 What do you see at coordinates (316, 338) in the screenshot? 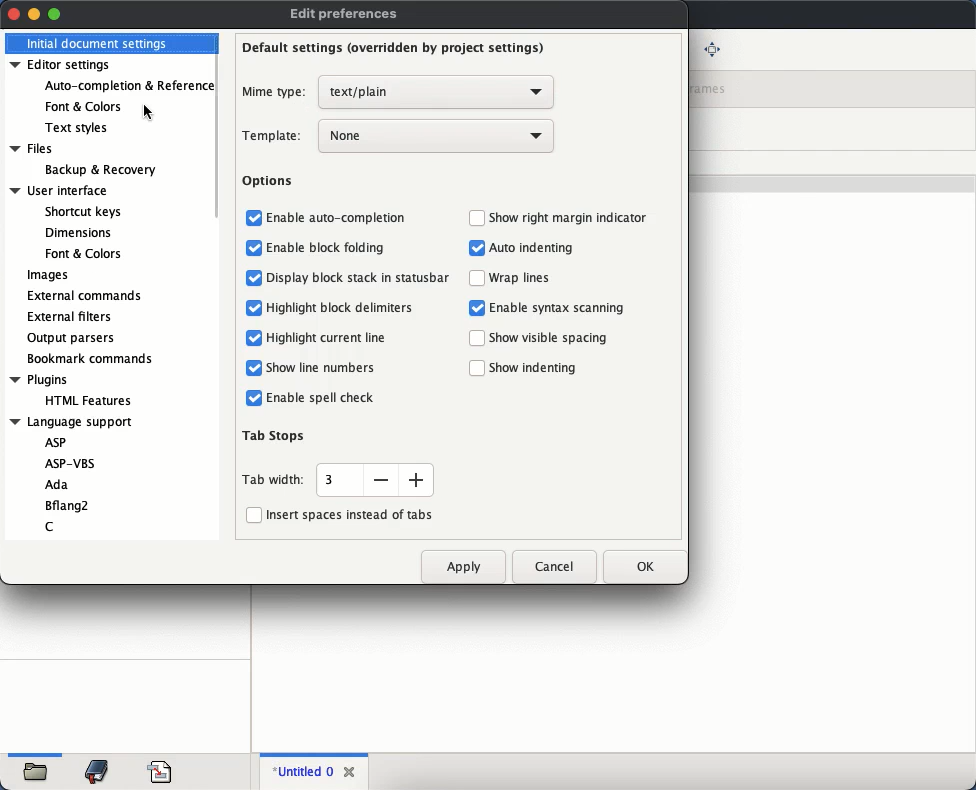
I see `highlight current line` at bounding box center [316, 338].